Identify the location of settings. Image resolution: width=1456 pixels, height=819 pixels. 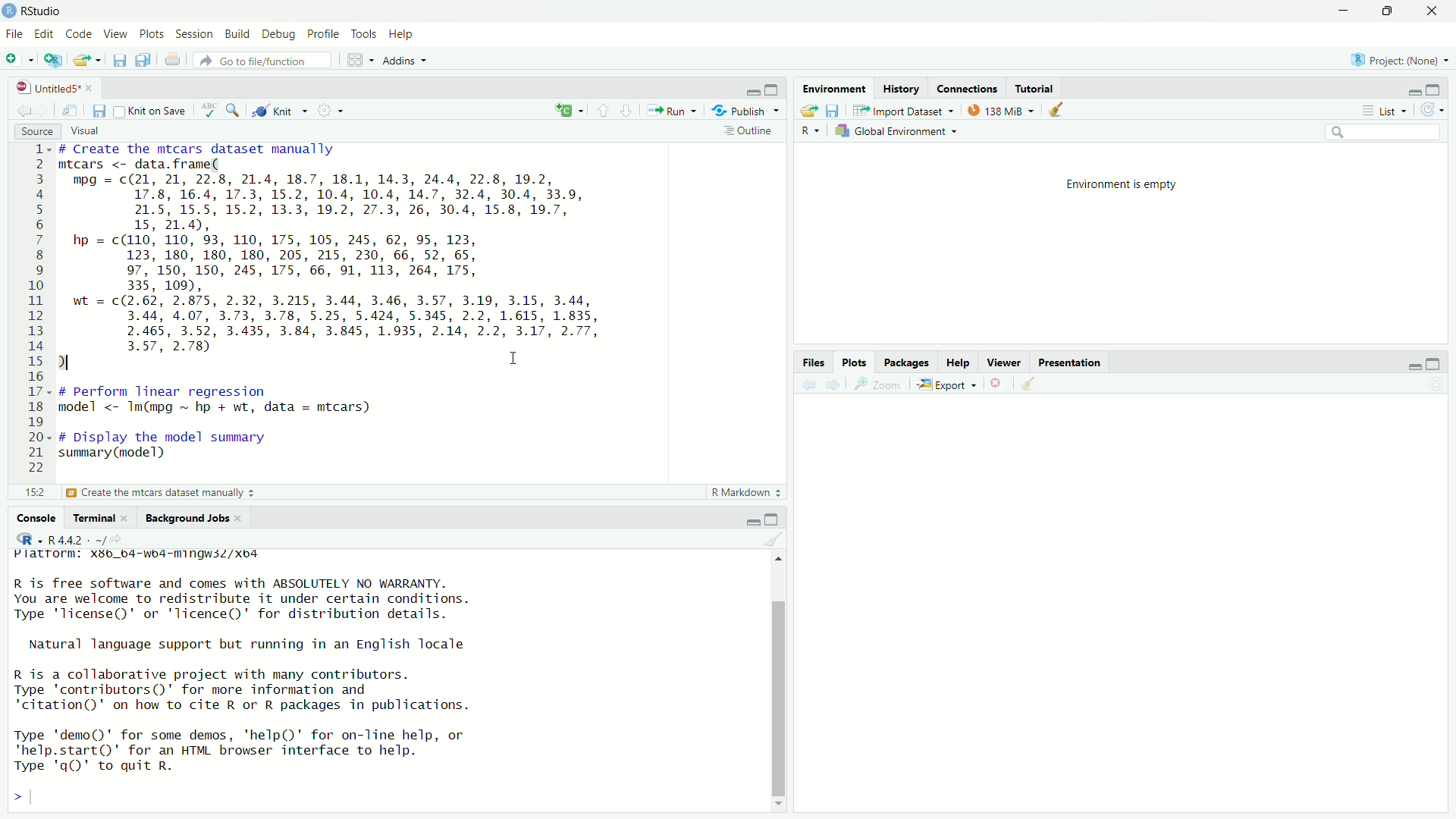
(329, 109).